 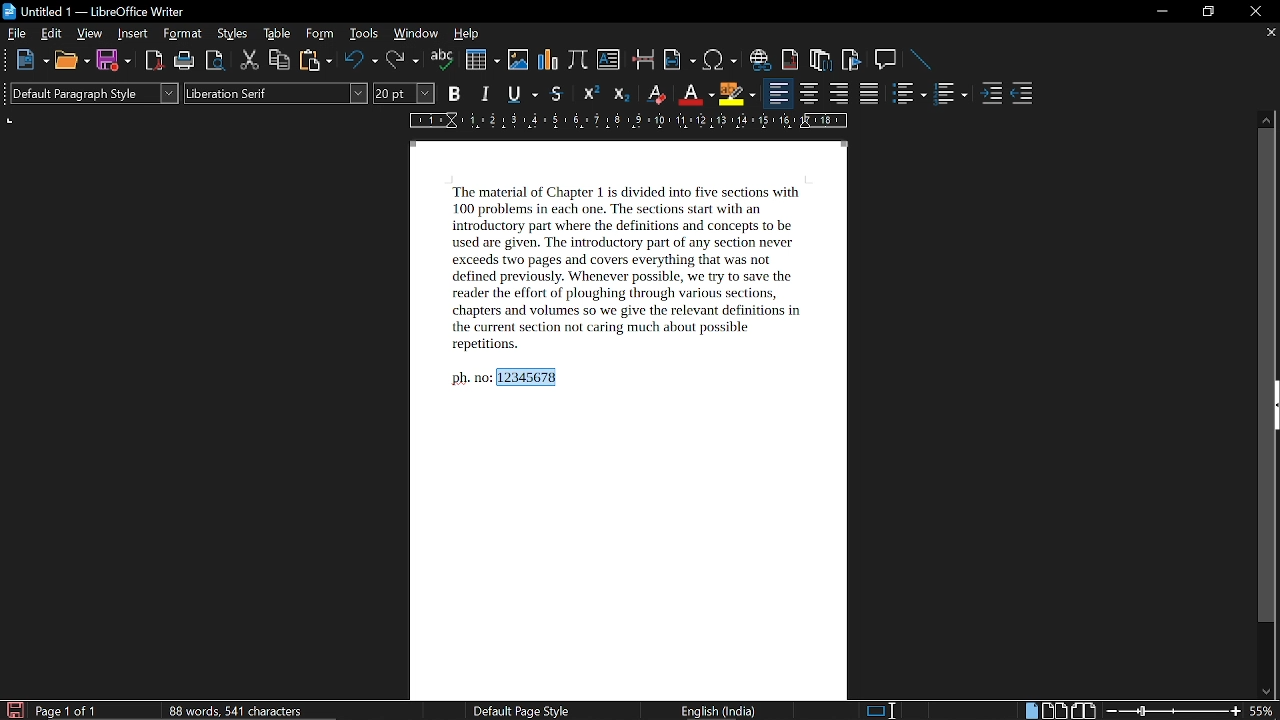 What do you see at coordinates (214, 60) in the screenshot?
I see `toggle print preview` at bounding box center [214, 60].